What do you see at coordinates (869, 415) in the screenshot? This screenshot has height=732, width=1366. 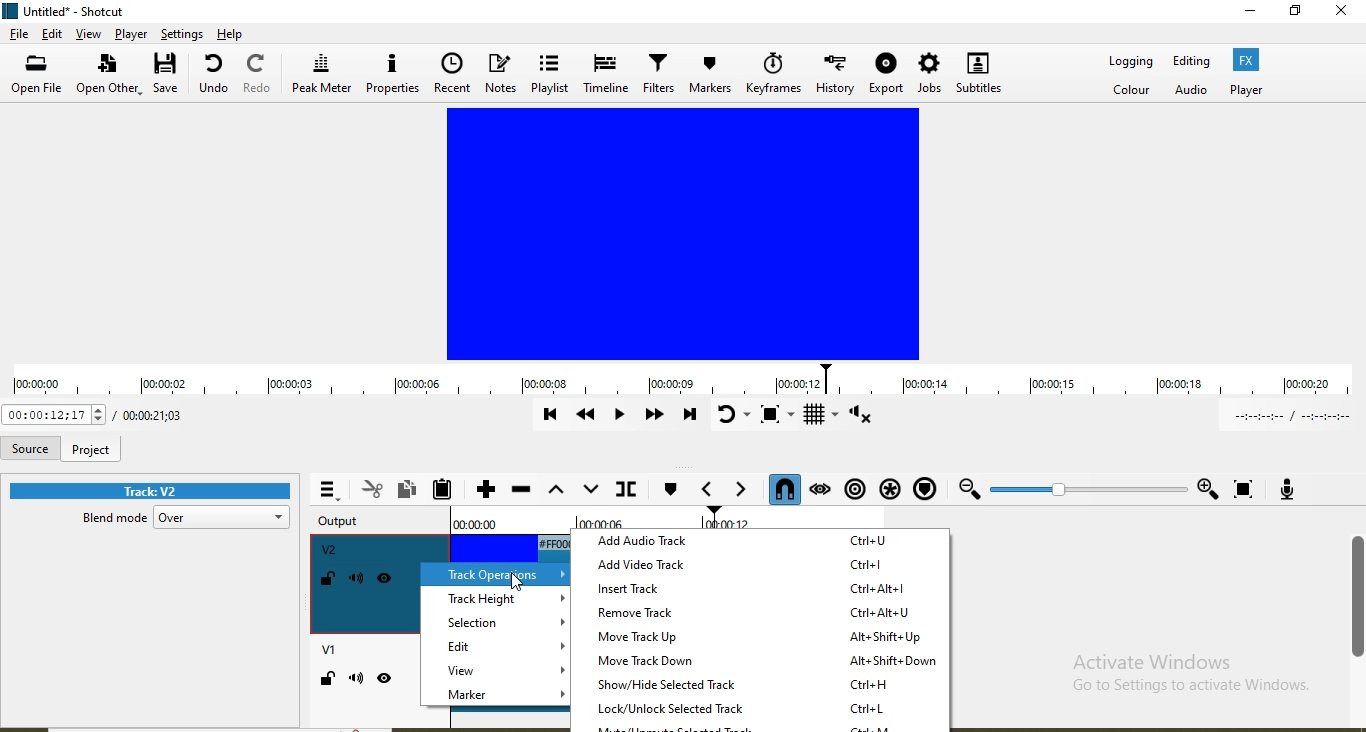 I see `Show volume control` at bounding box center [869, 415].